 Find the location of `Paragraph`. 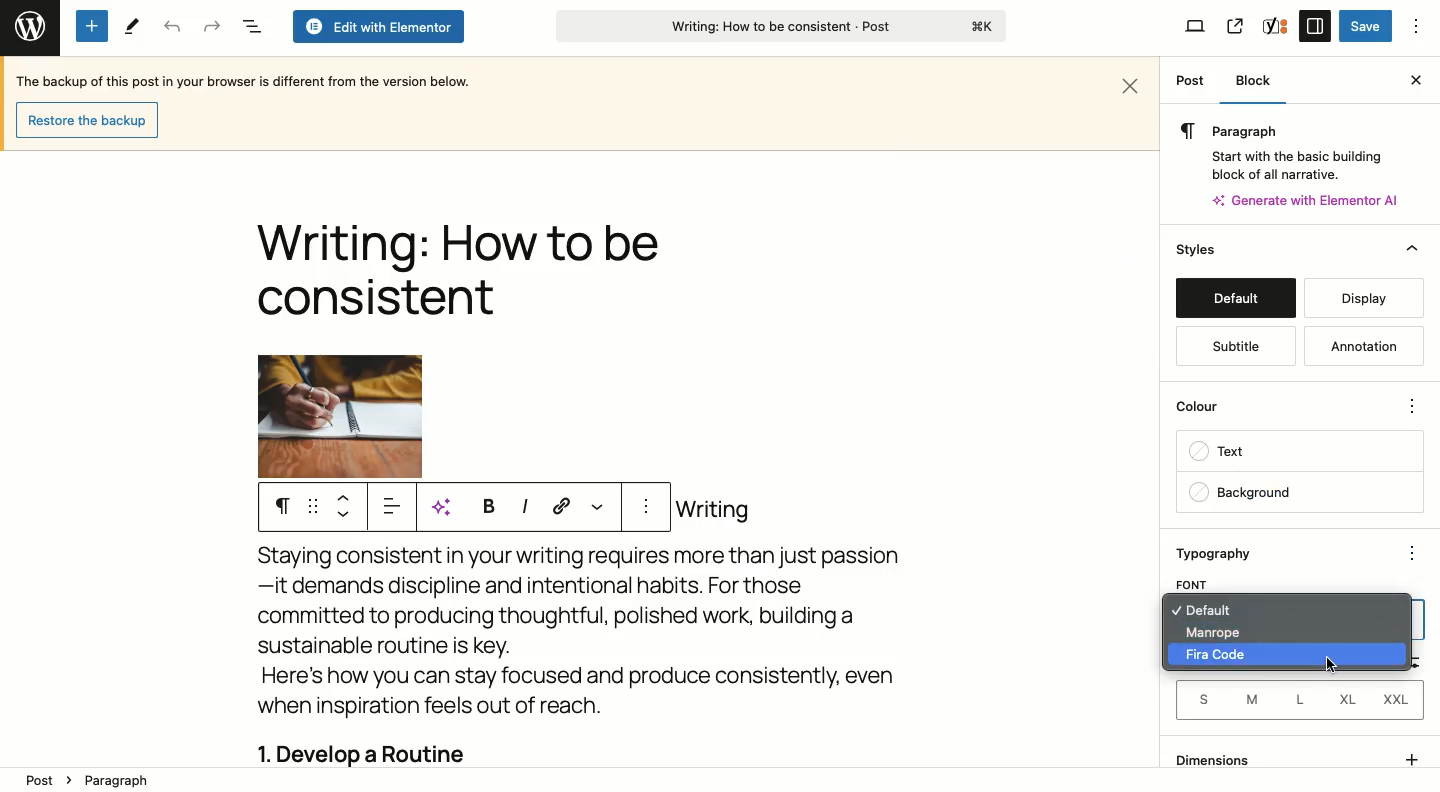

Paragraph is located at coordinates (1285, 130).